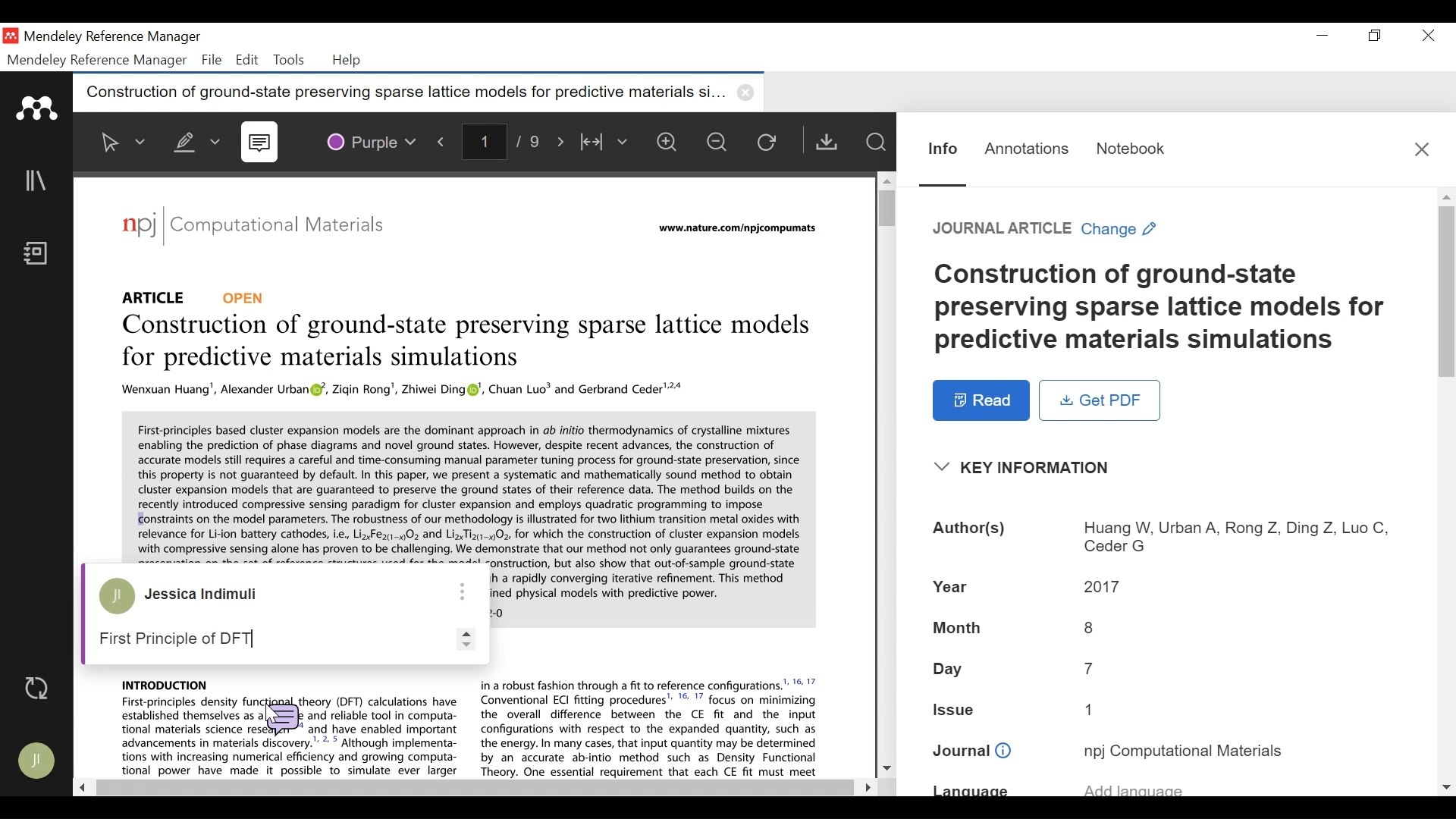 The height and width of the screenshot is (819, 1456). What do you see at coordinates (117, 598) in the screenshot?
I see `Avatar ` at bounding box center [117, 598].